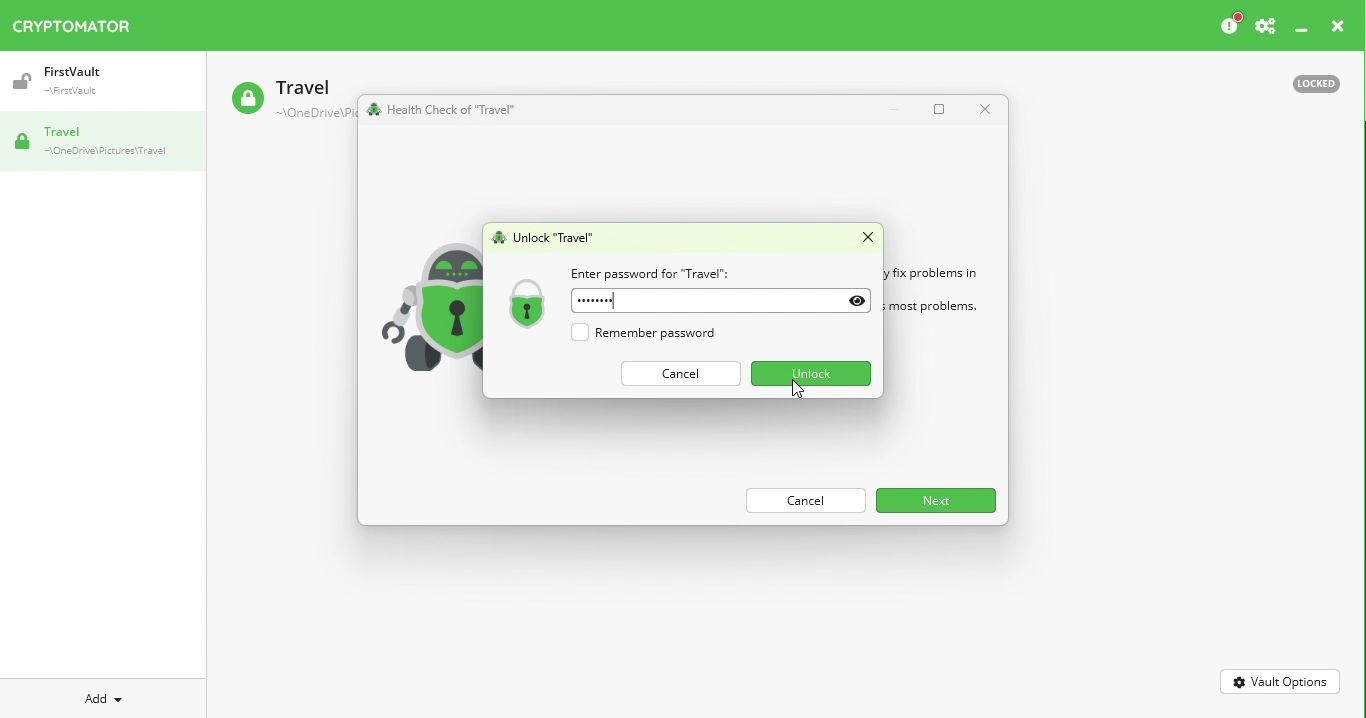 This screenshot has height=718, width=1366. What do you see at coordinates (548, 237) in the screenshot?
I see `Unlock vault` at bounding box center [548, 237].